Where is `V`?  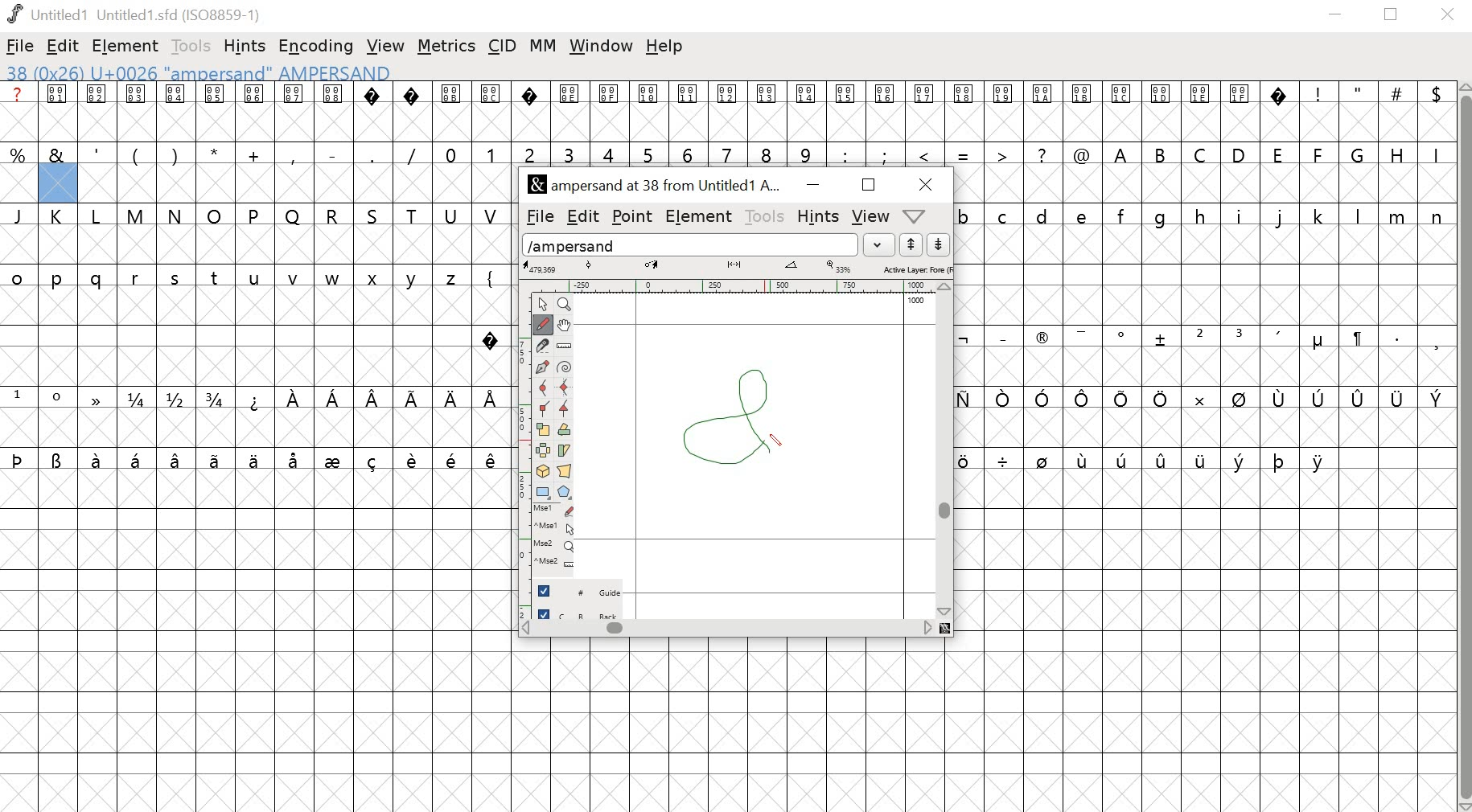
V is located at coordinates (492, 214).